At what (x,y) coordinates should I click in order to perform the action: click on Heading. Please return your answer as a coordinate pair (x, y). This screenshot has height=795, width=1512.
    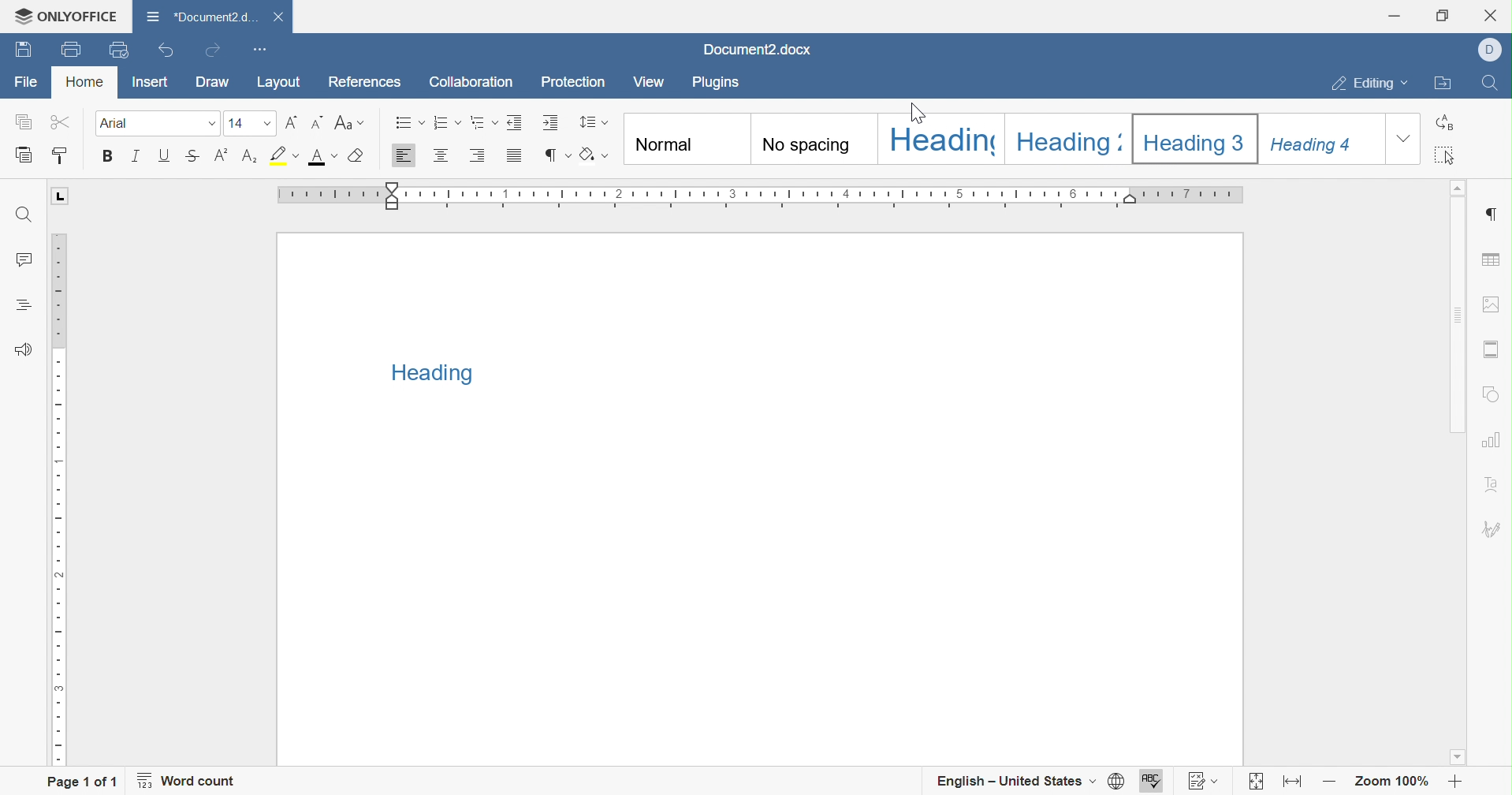
    Looking at the image, I should click on (427, 374).